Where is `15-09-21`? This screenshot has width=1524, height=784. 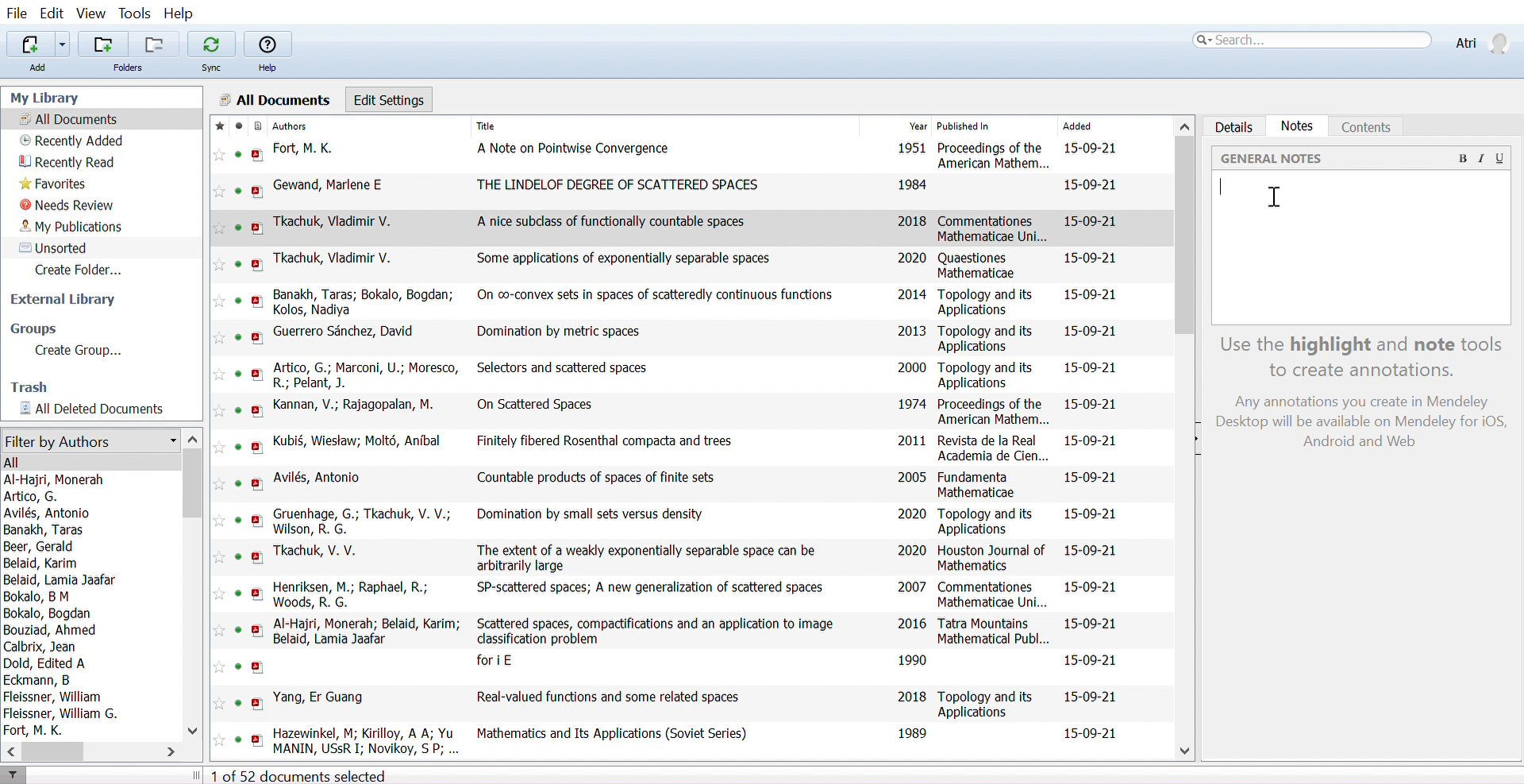 15-09-21 is located at coordinates (1094, 221).